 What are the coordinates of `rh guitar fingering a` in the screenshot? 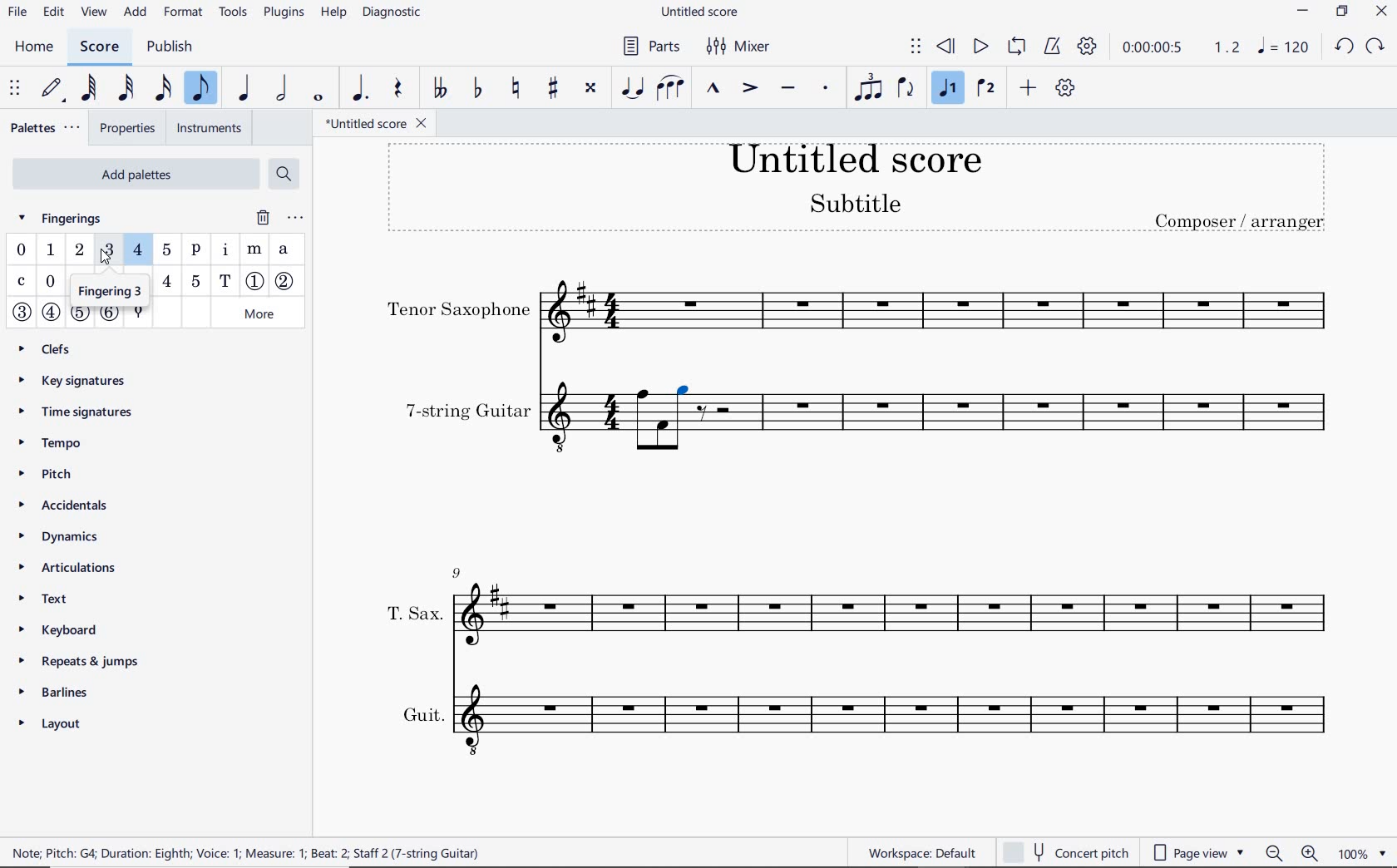 It's located at (285, 251).